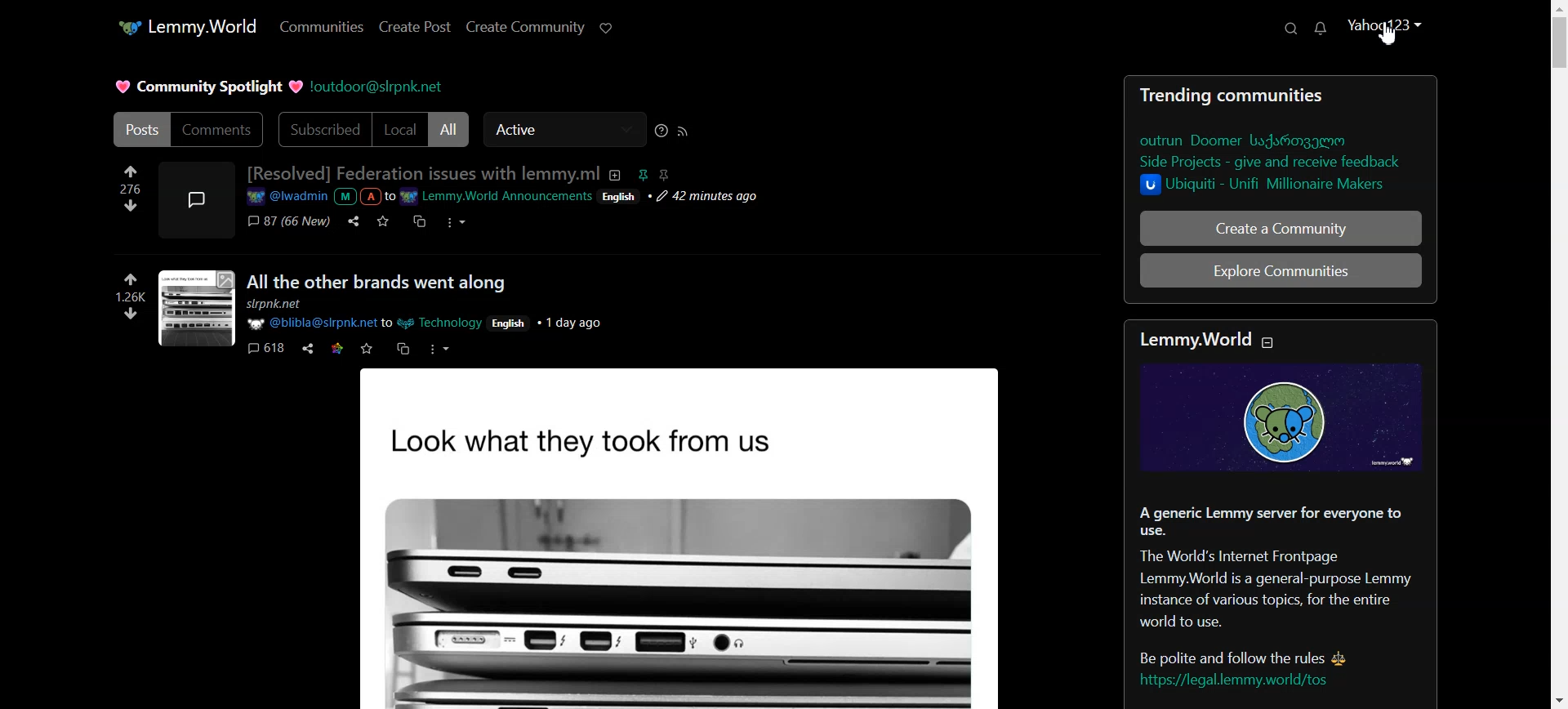 Image resolution: width=1568 pixels, height=709 pixels. What do you see at coordinates (121, 189) in the screenshot?
I see `276` at bounding box center [121, 189].